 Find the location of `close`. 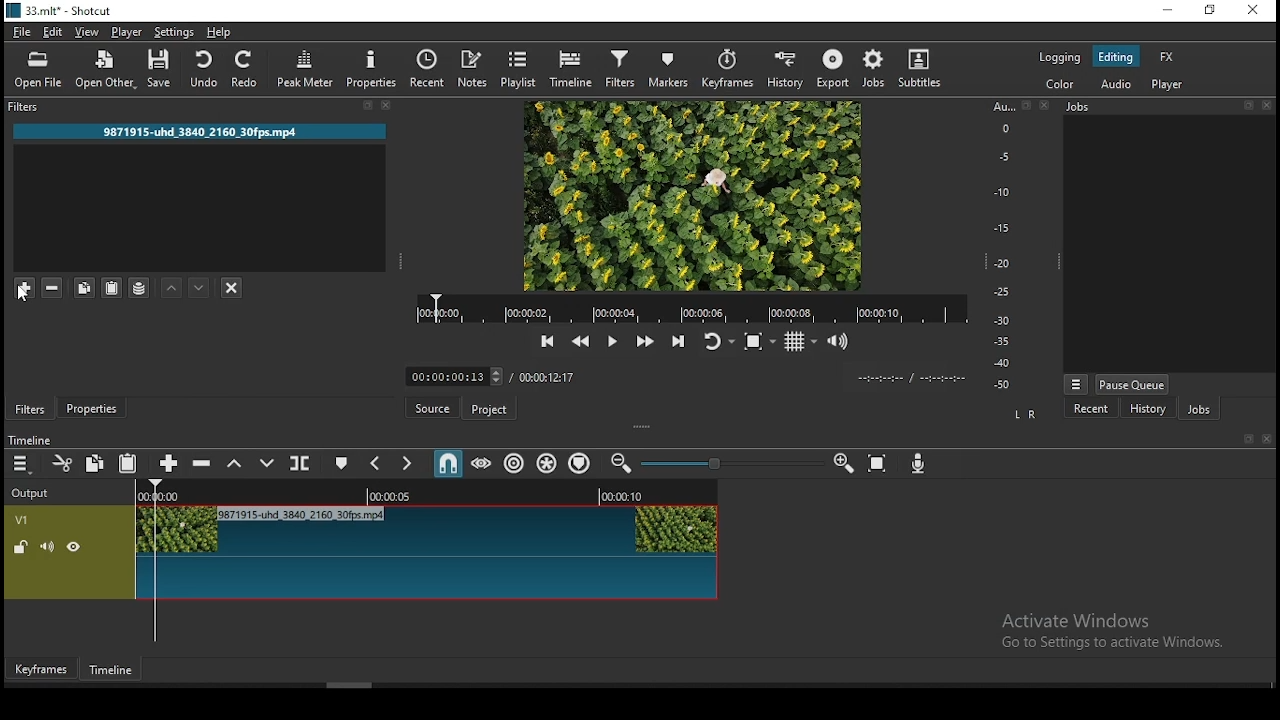

close is located at coordinates (387, 105).